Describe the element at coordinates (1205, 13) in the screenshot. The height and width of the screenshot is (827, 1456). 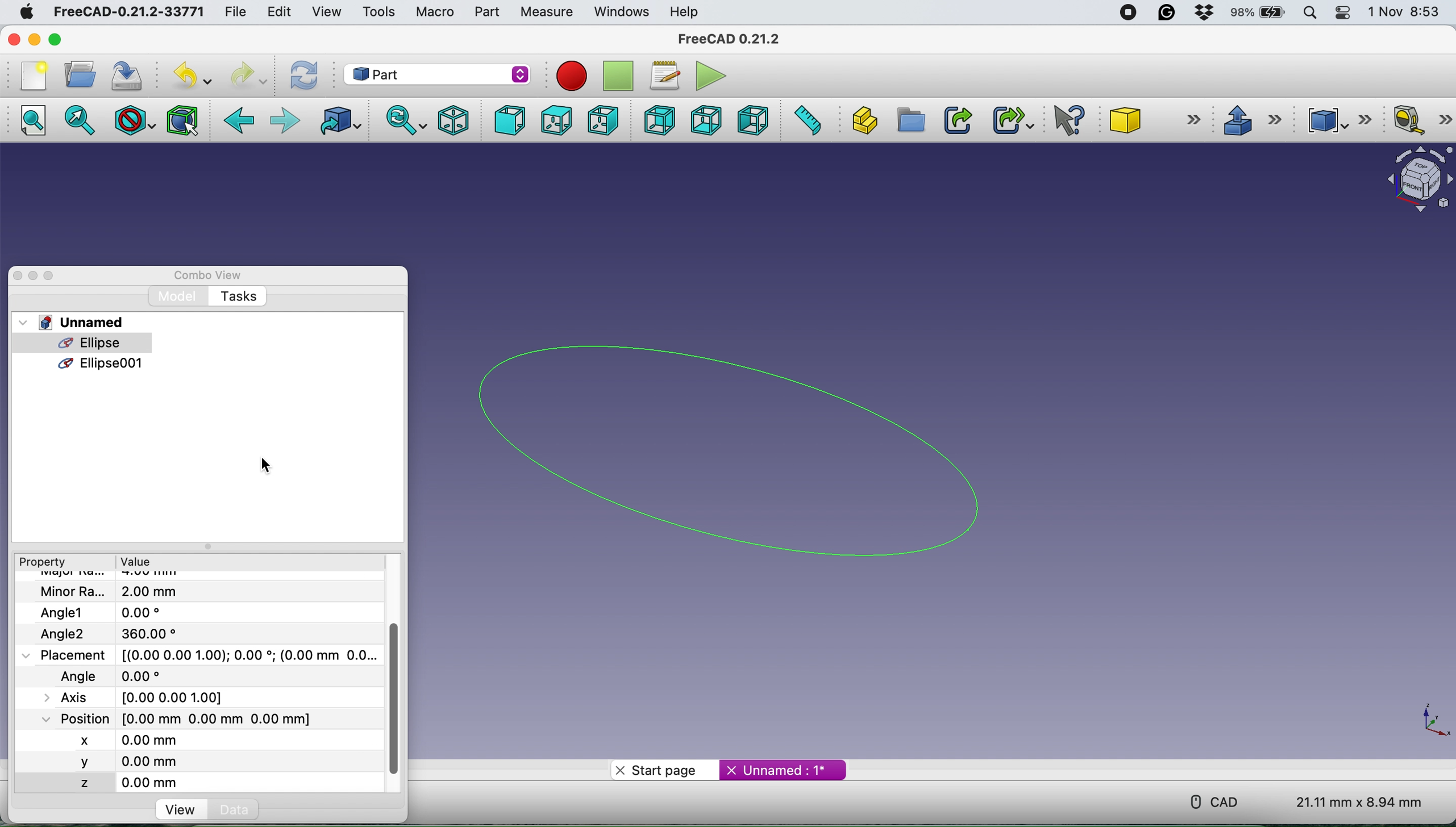
I see `dropbox` at that location.